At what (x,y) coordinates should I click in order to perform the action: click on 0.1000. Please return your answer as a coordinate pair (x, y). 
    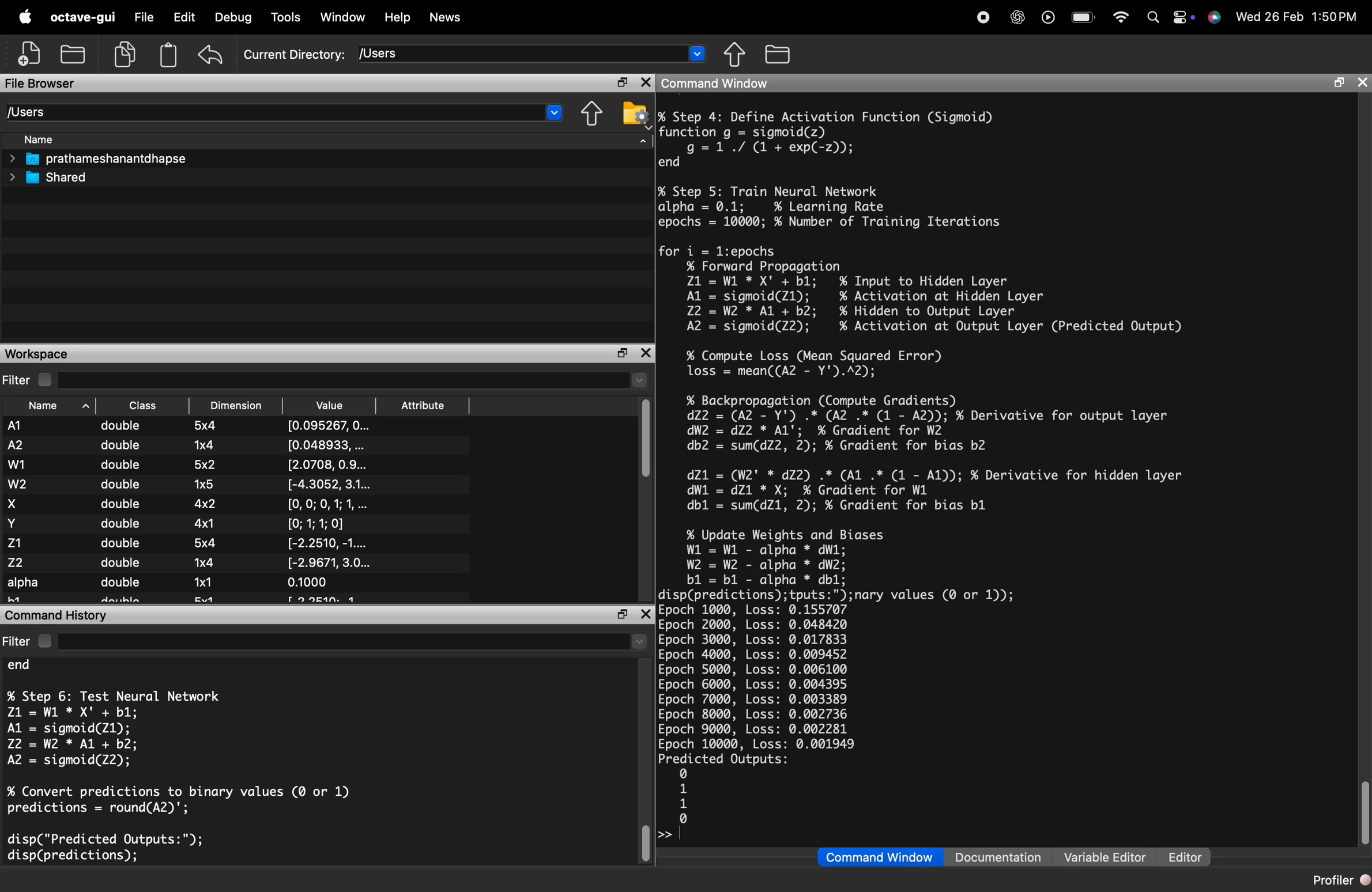
    Looking at the image, I should click on (309, 583).